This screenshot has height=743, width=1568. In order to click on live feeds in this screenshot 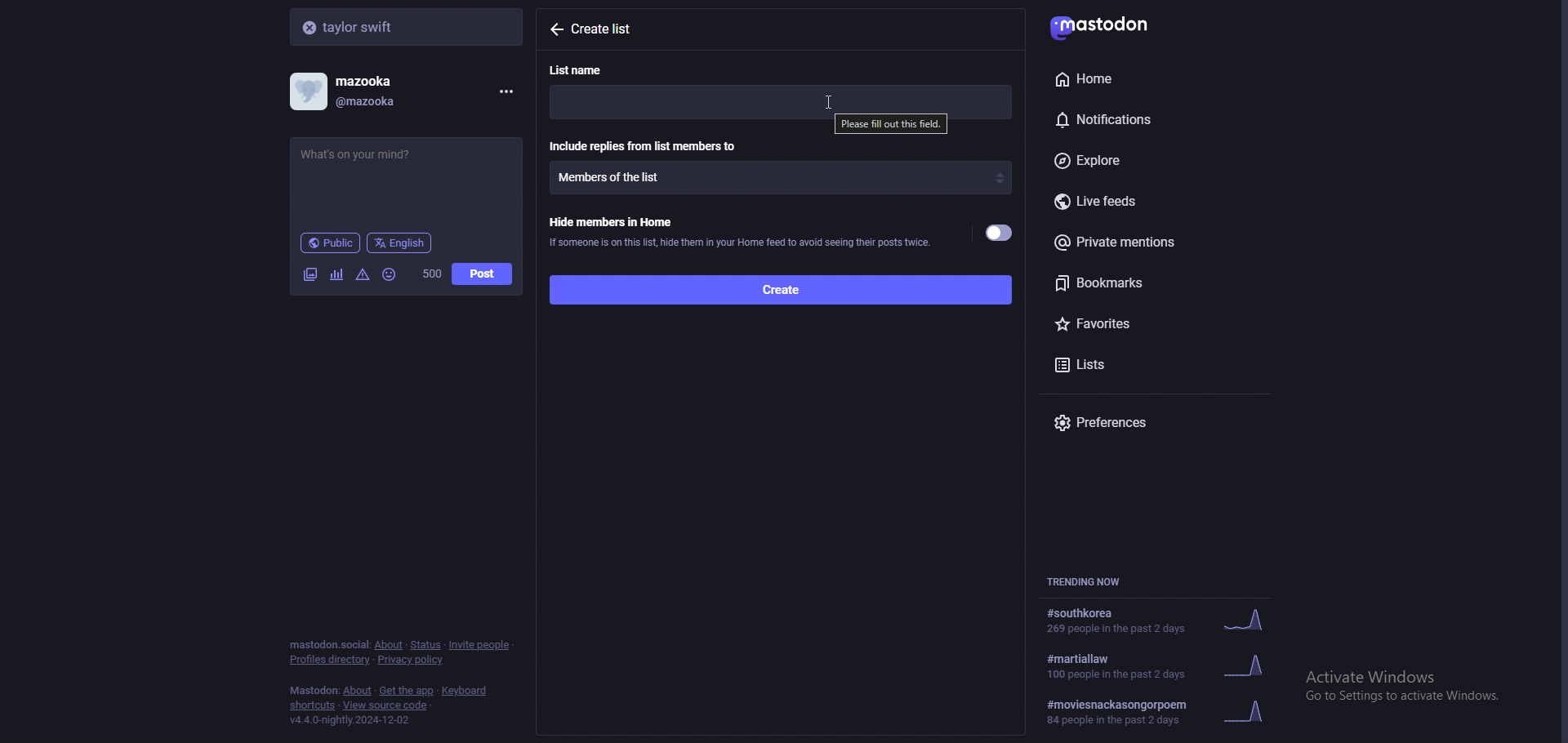, I will do `click(1160, 202)`.